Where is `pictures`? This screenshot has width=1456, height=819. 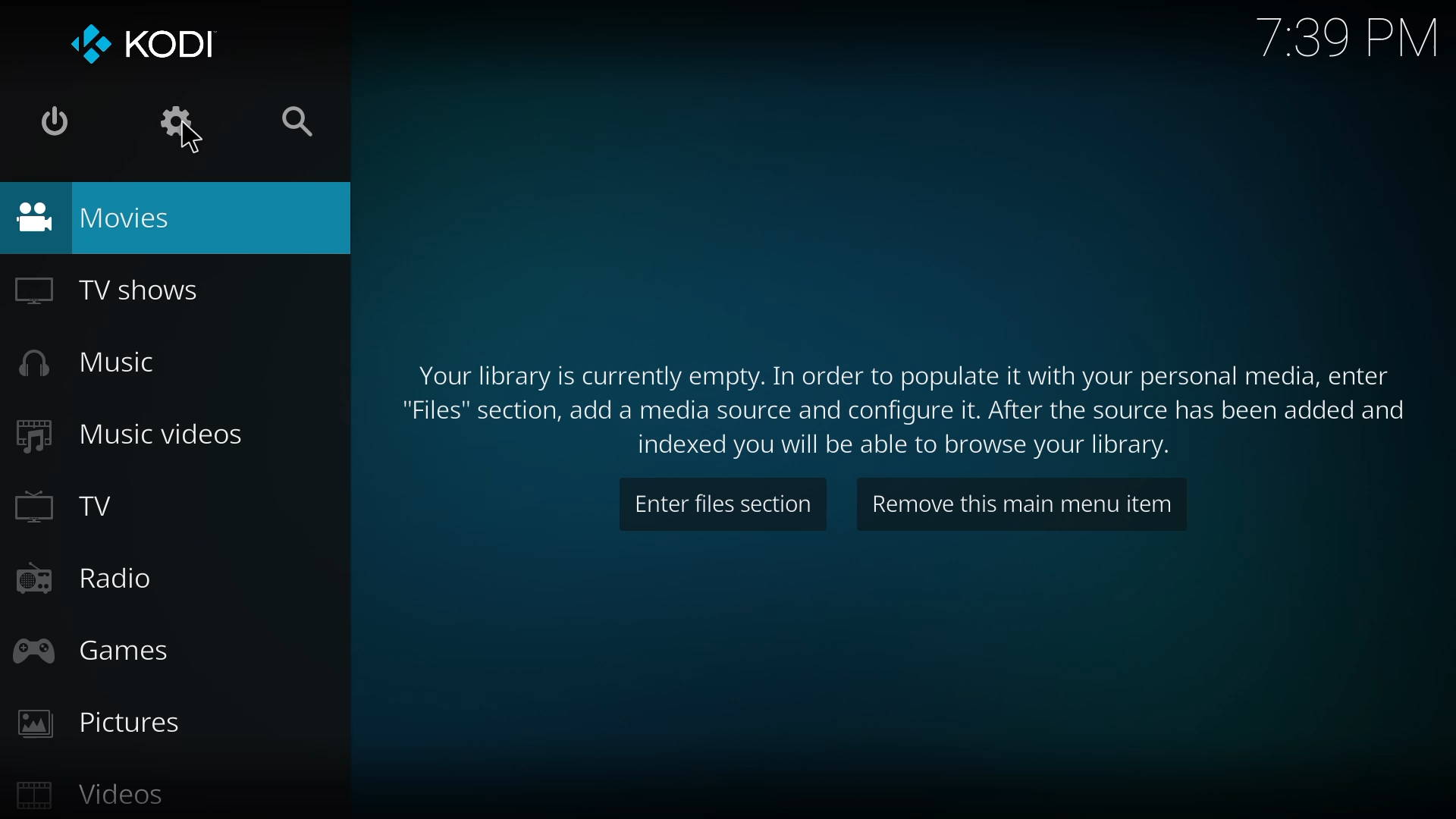 pictures is located at coordinates (96, 726).